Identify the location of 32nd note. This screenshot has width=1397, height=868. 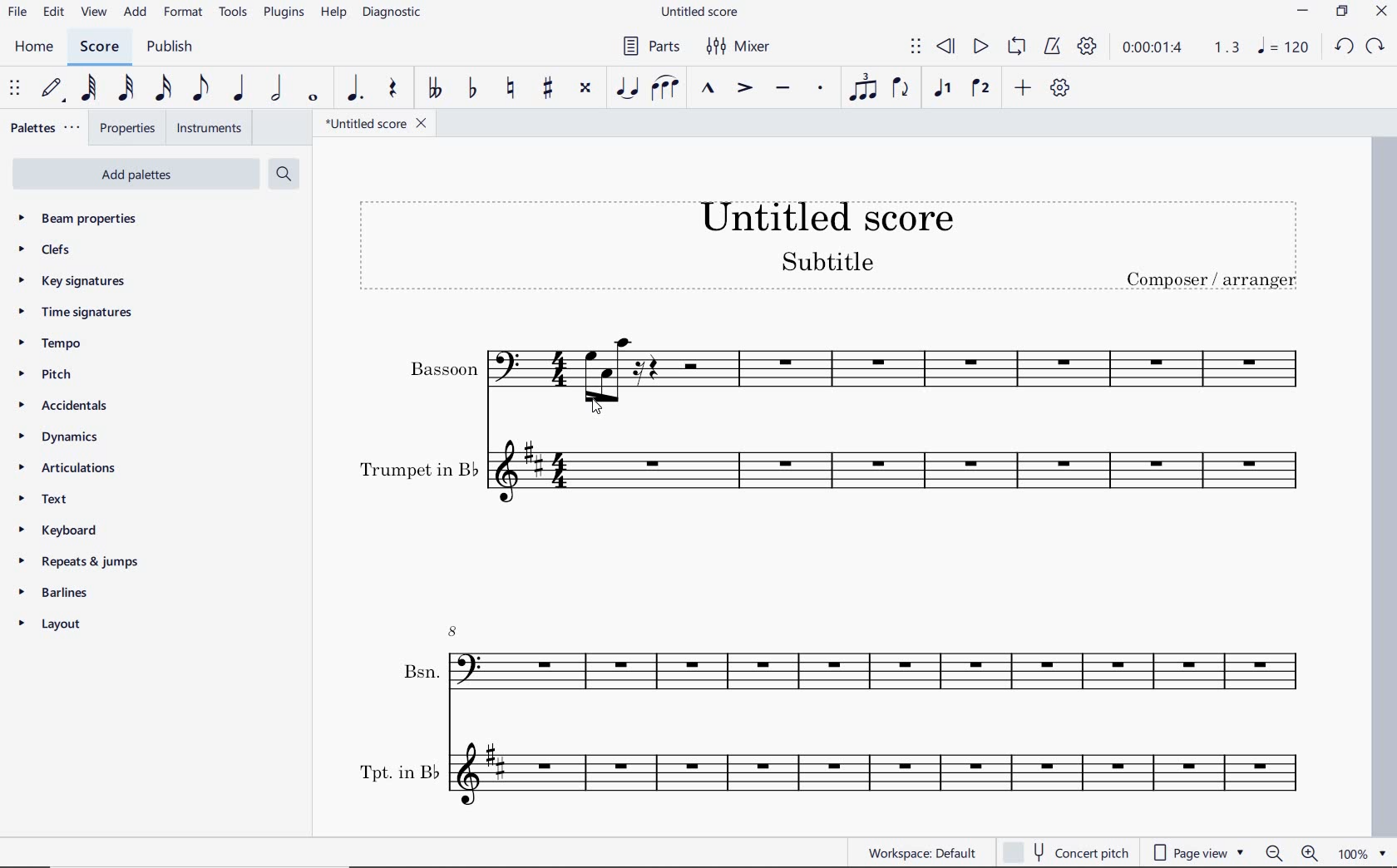
(126, 87).